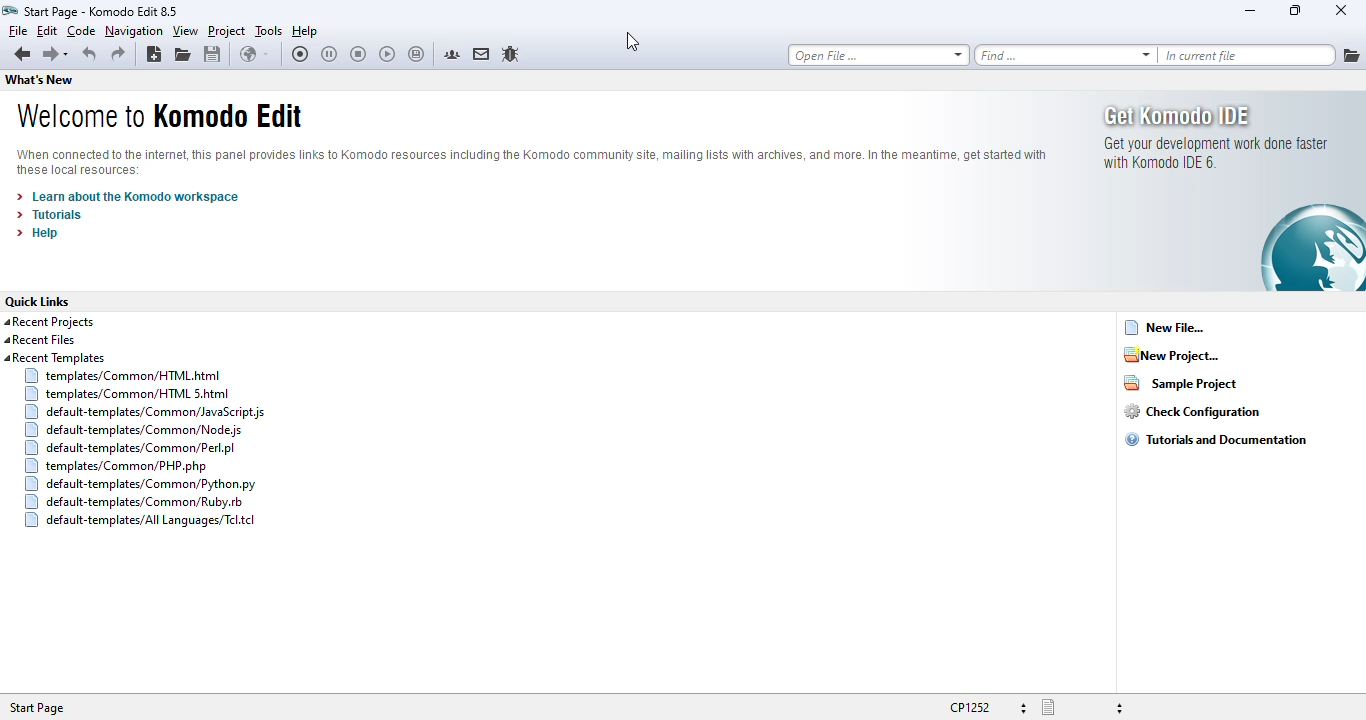 This screenshot has width=1366, height=720. I want to click on check configuration, so click(1192, 411).